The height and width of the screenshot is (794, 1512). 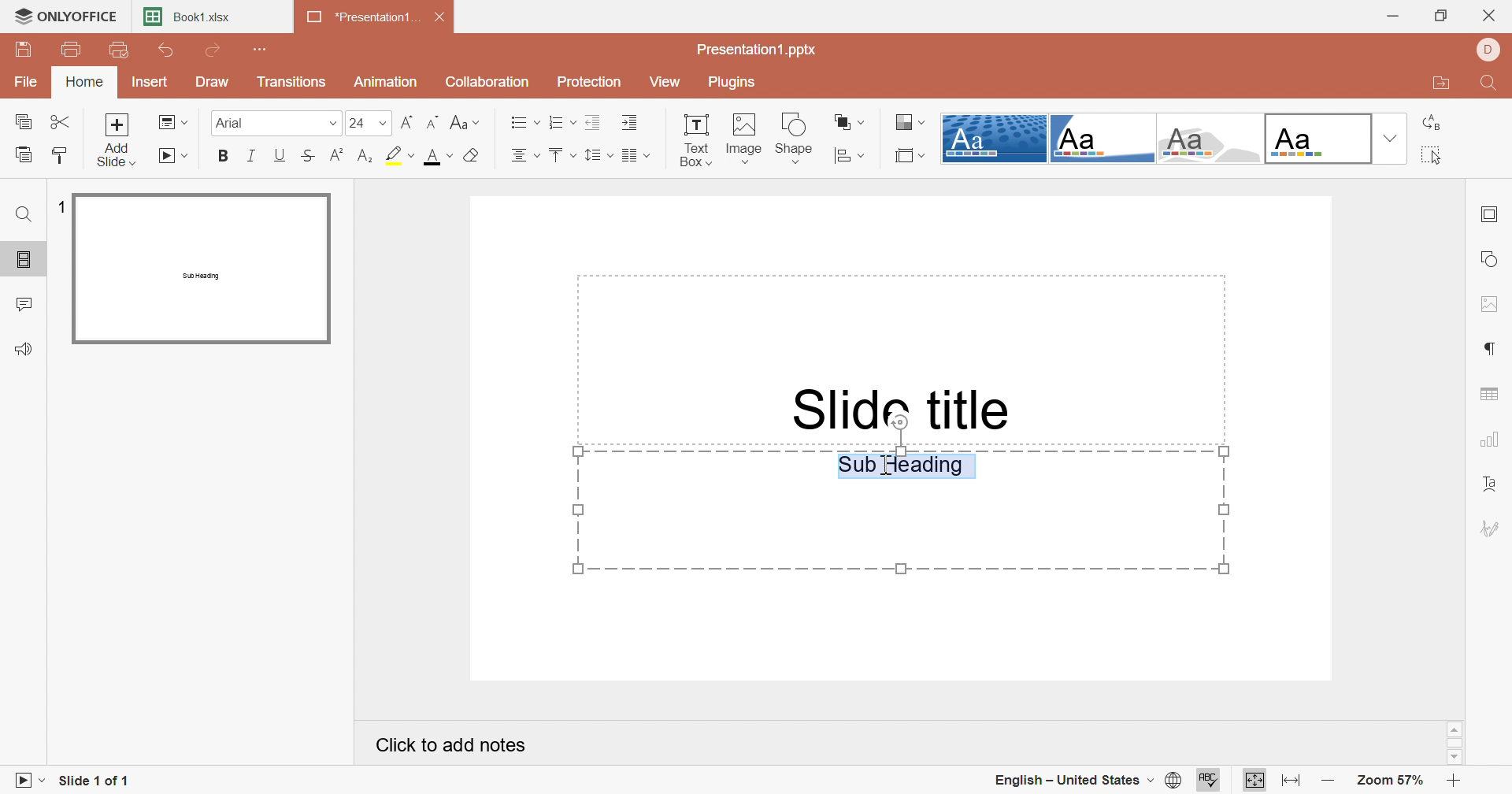 I want to click on Close, so click(x=1489, y=15).